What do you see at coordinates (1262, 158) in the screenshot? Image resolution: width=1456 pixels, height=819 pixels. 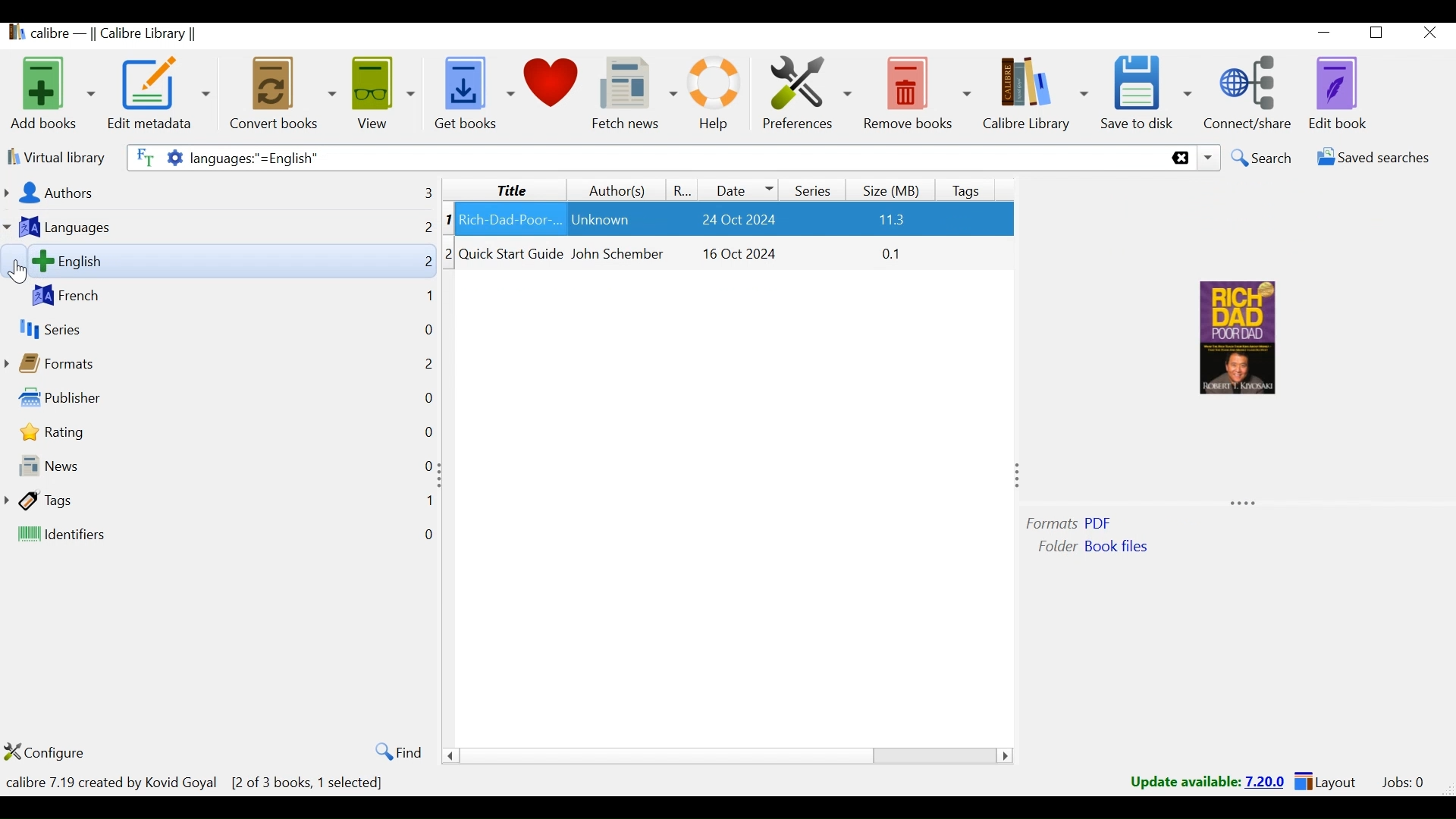 I see `Search` at bounding box center [1262, 158].